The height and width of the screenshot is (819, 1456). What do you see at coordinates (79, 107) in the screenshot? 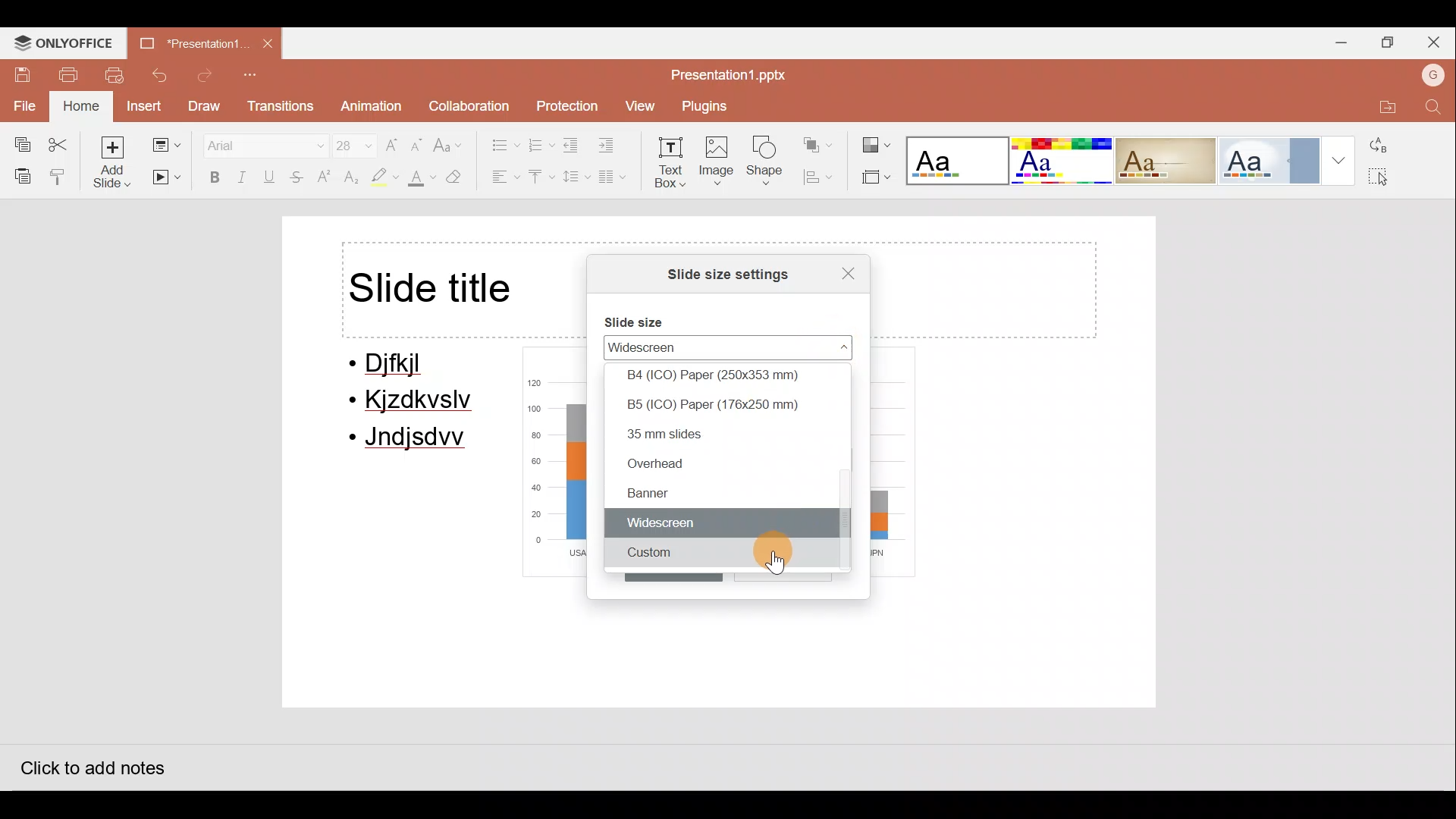
I see `Home` at bounding box center [79, 107].